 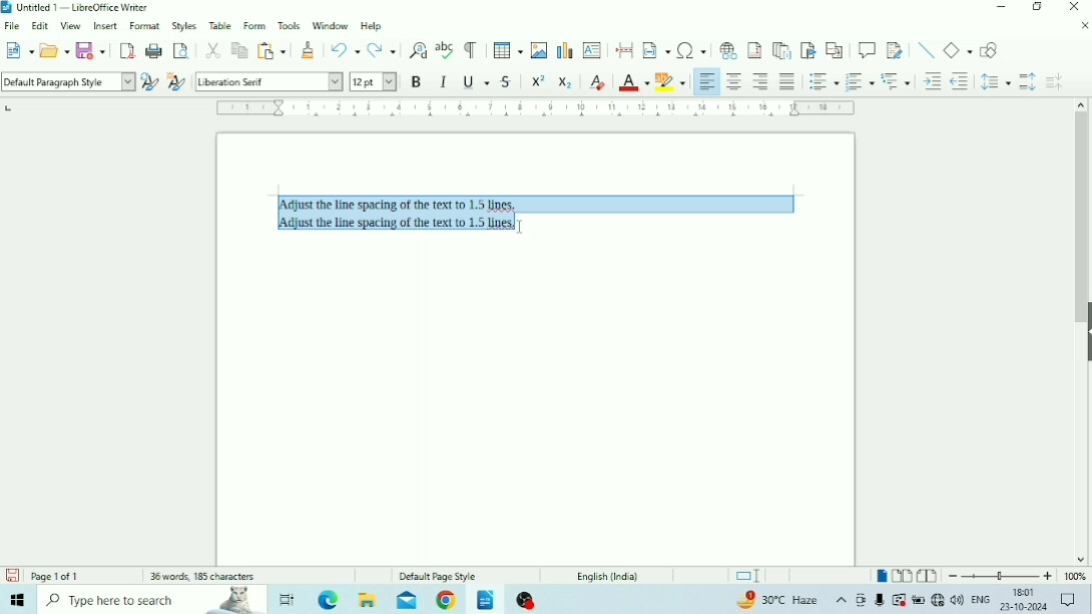 I want to click on Show, so click(x=1085, y=328).